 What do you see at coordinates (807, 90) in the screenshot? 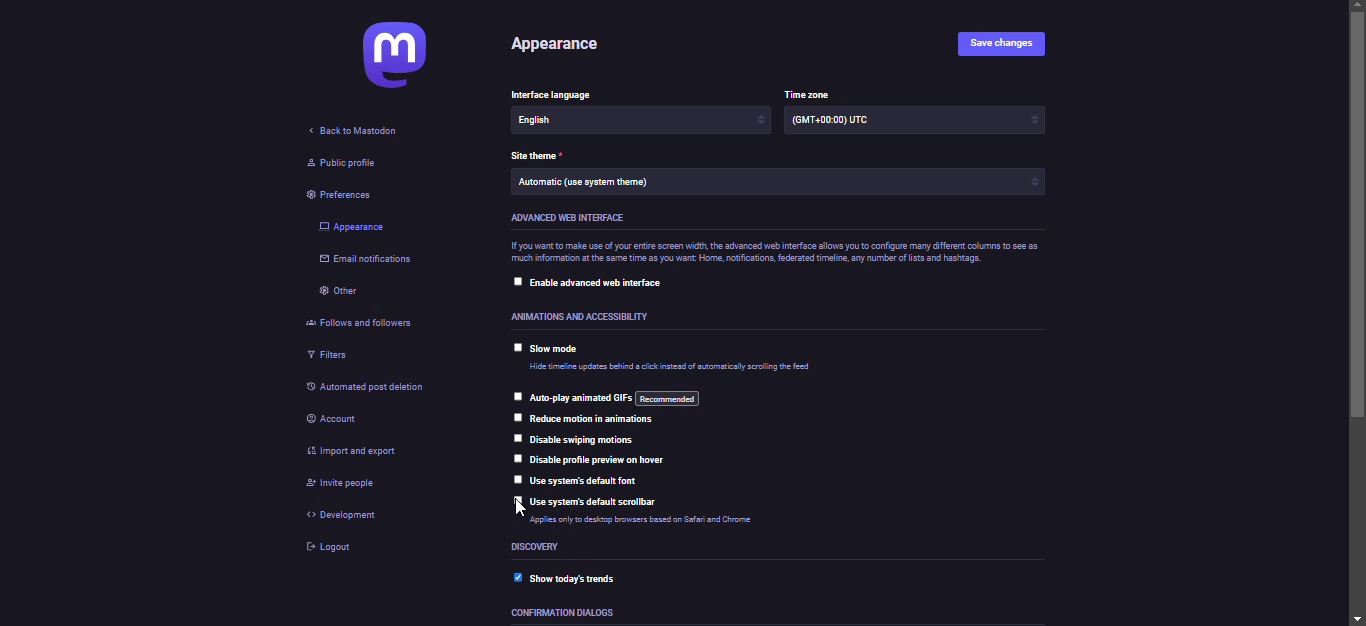
I see `time zone` at bounding box center [807, 90].